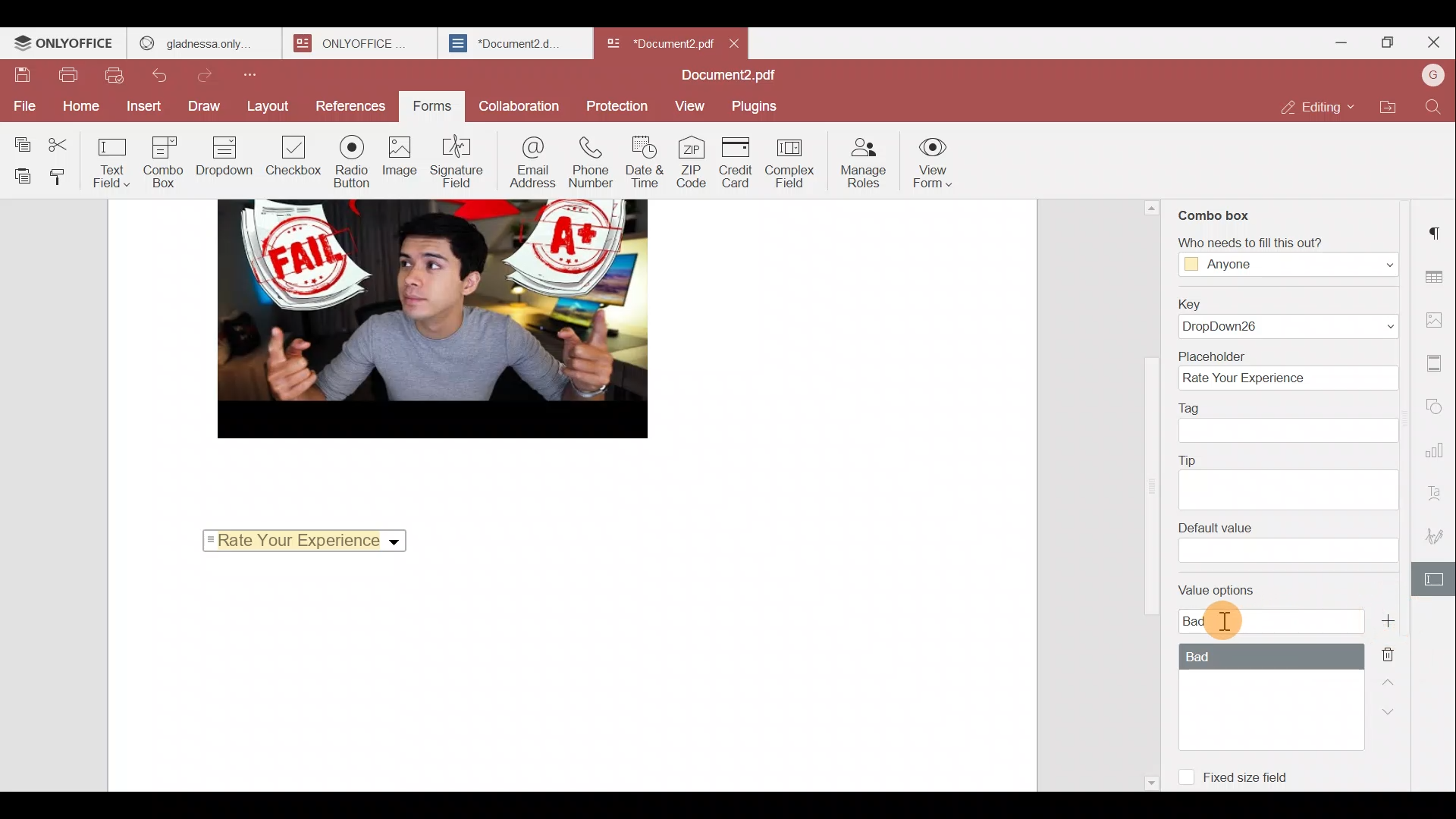 This screenshot has height=819, width=1456. Describe the element at coordinates (1438, 491) in the screenshot. I see `Text Art settings` at that location.